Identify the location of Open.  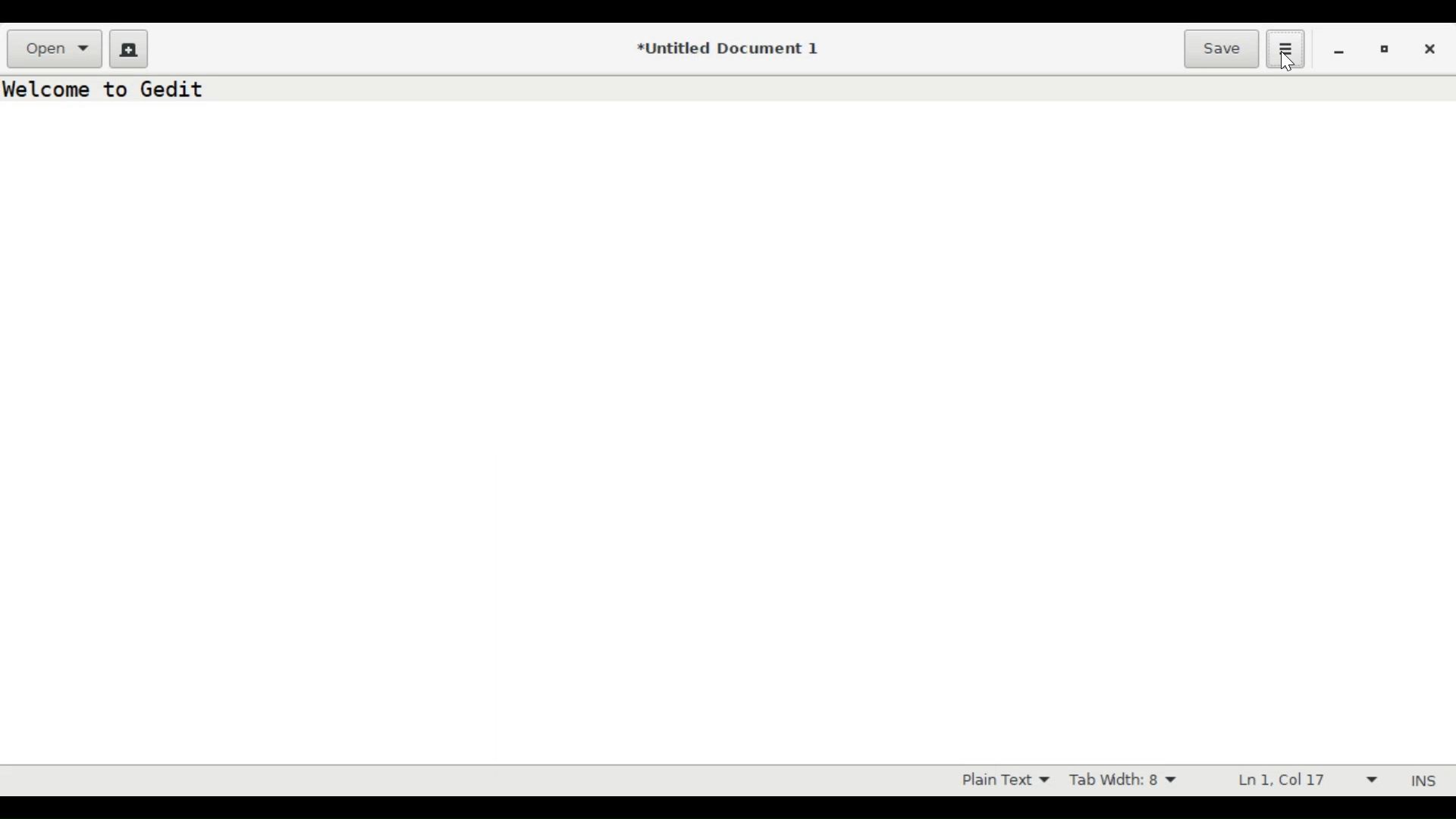
(55, 49).